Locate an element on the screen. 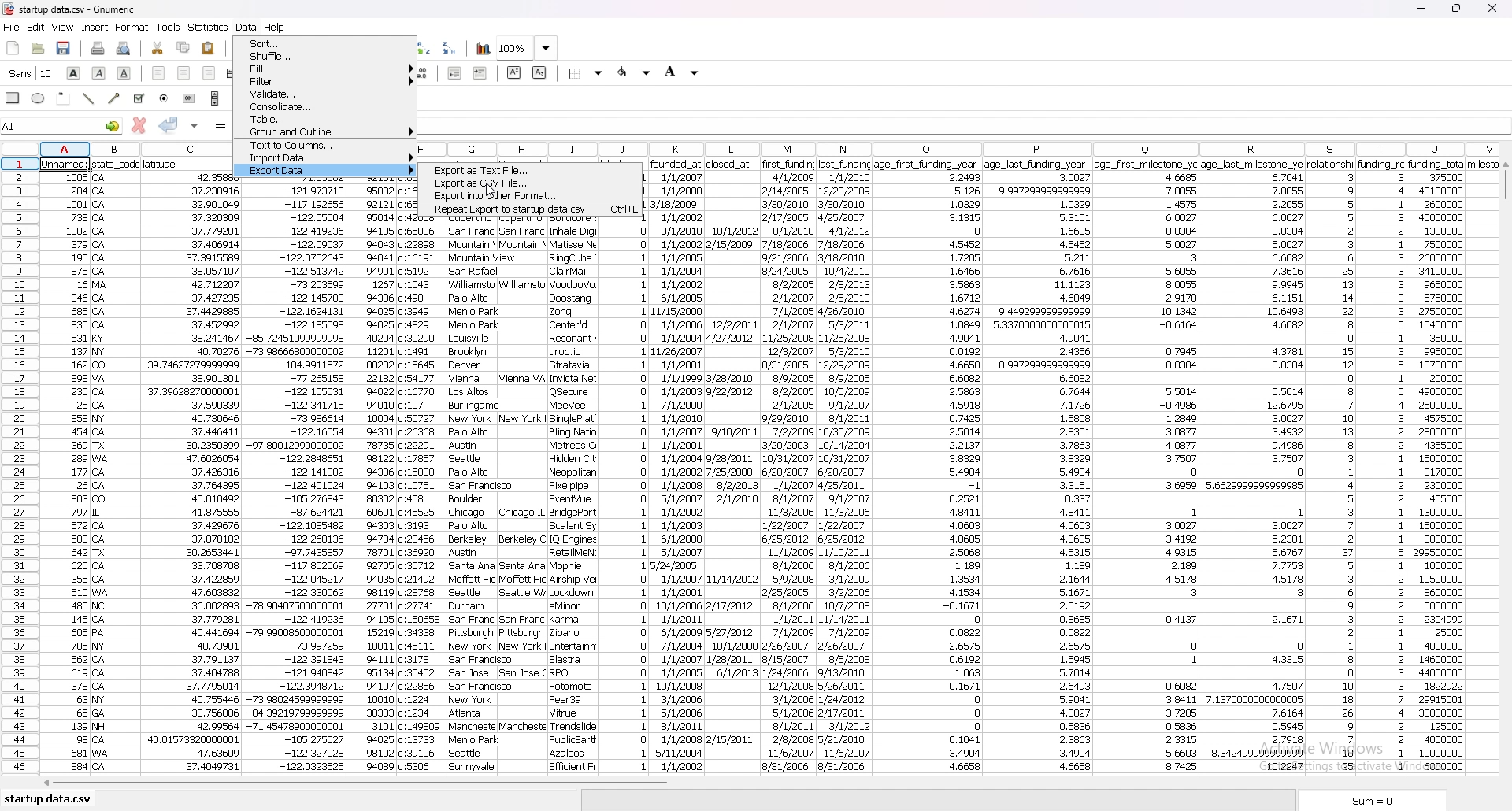  sort is located at coordinates (324, 43).